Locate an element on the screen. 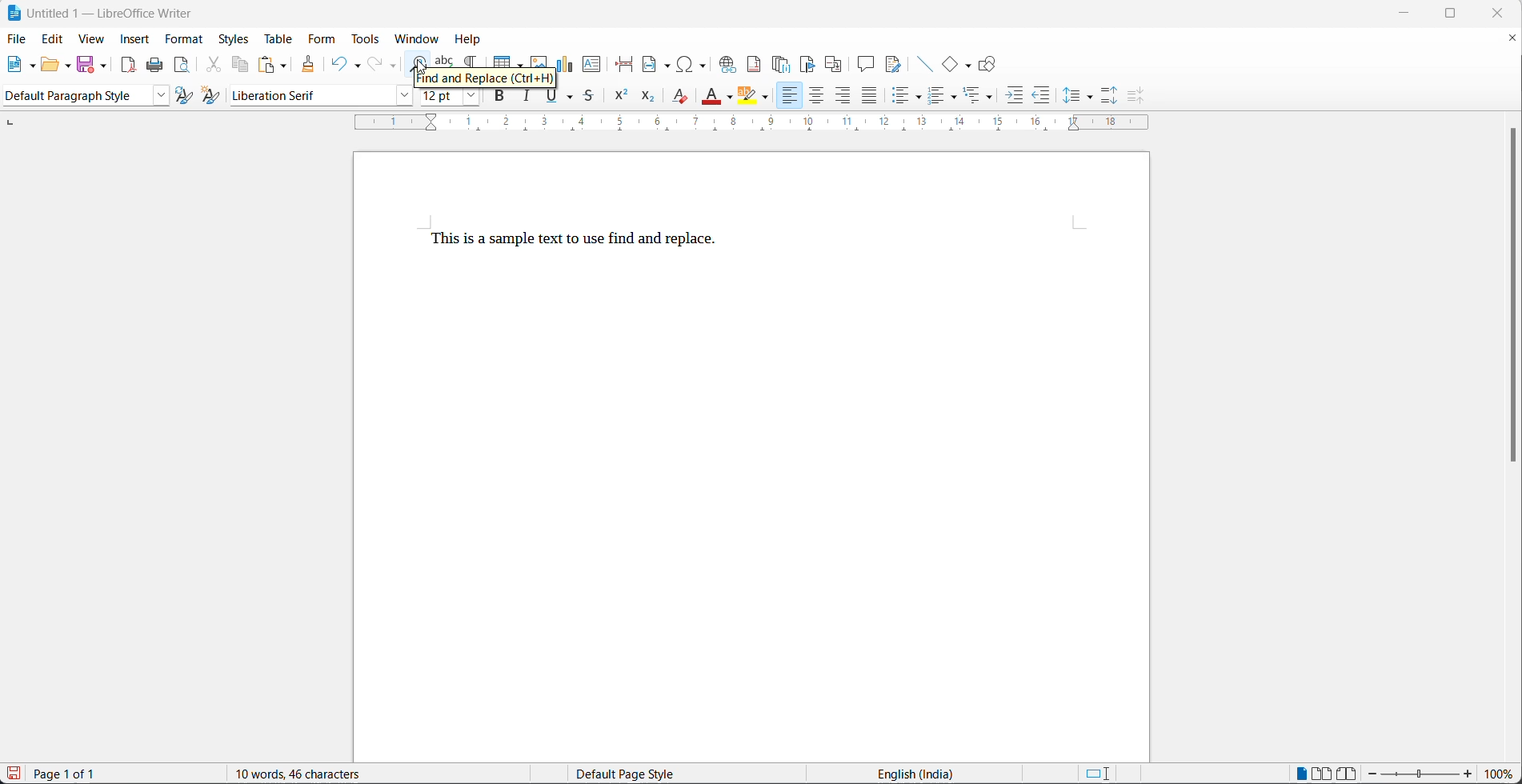 The width and height of the screenshot is (1522, 784). undo is located at coordinates (338, 62).